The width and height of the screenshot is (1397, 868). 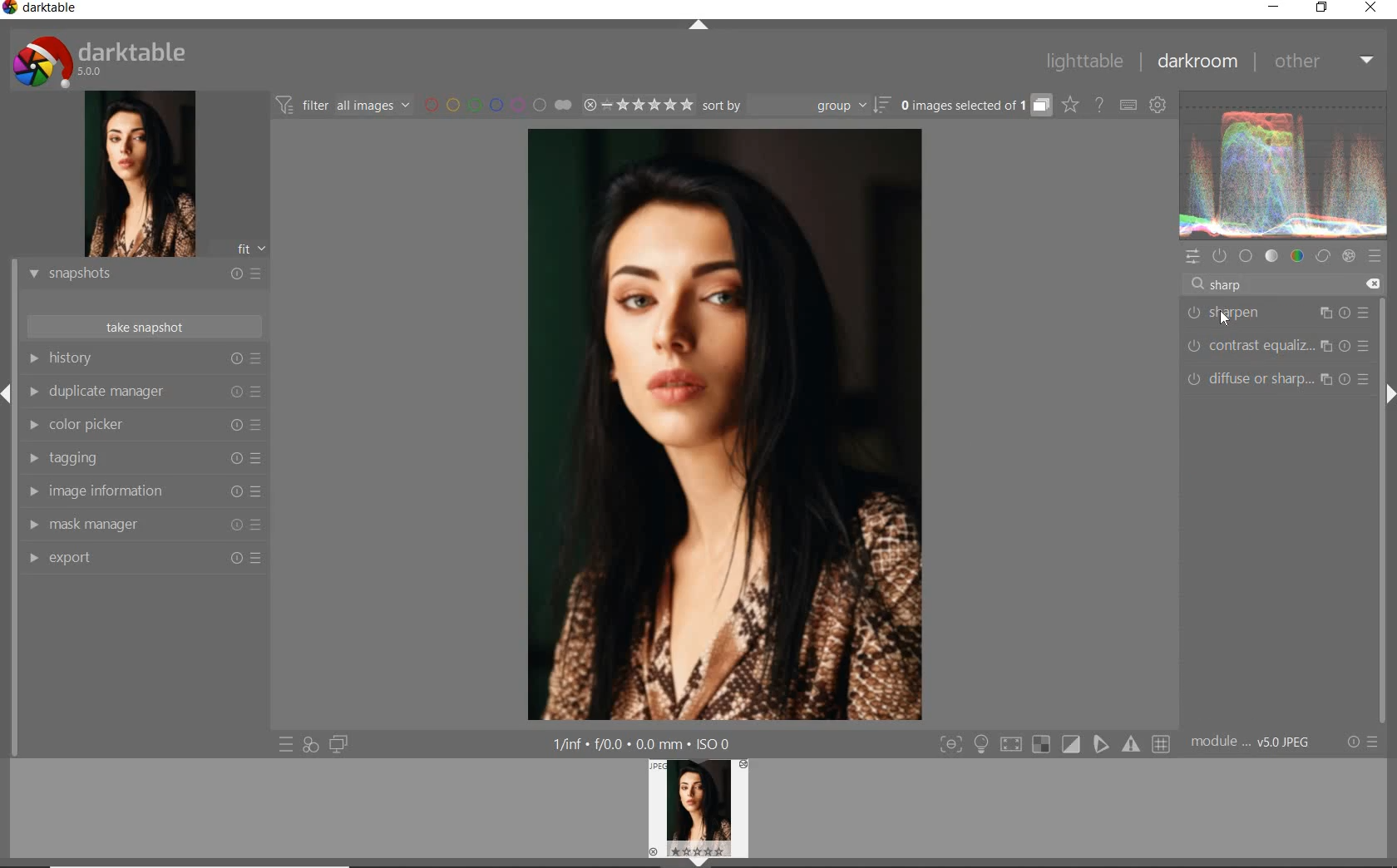 I want to click on show global preferences, so click(x=1159, y=104).